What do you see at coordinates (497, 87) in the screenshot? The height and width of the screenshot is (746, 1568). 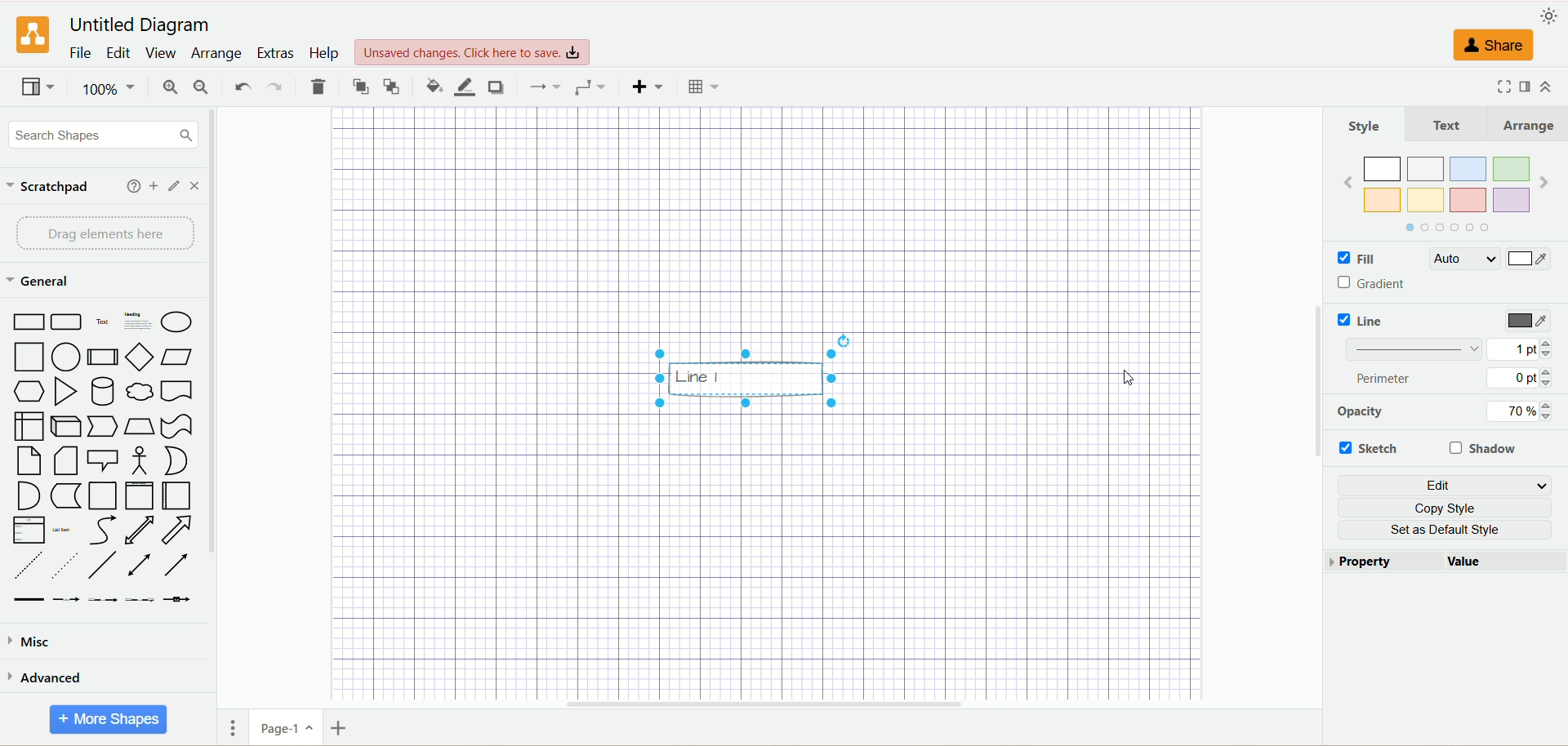 I see `shadow` at bounding box center [497, 87].